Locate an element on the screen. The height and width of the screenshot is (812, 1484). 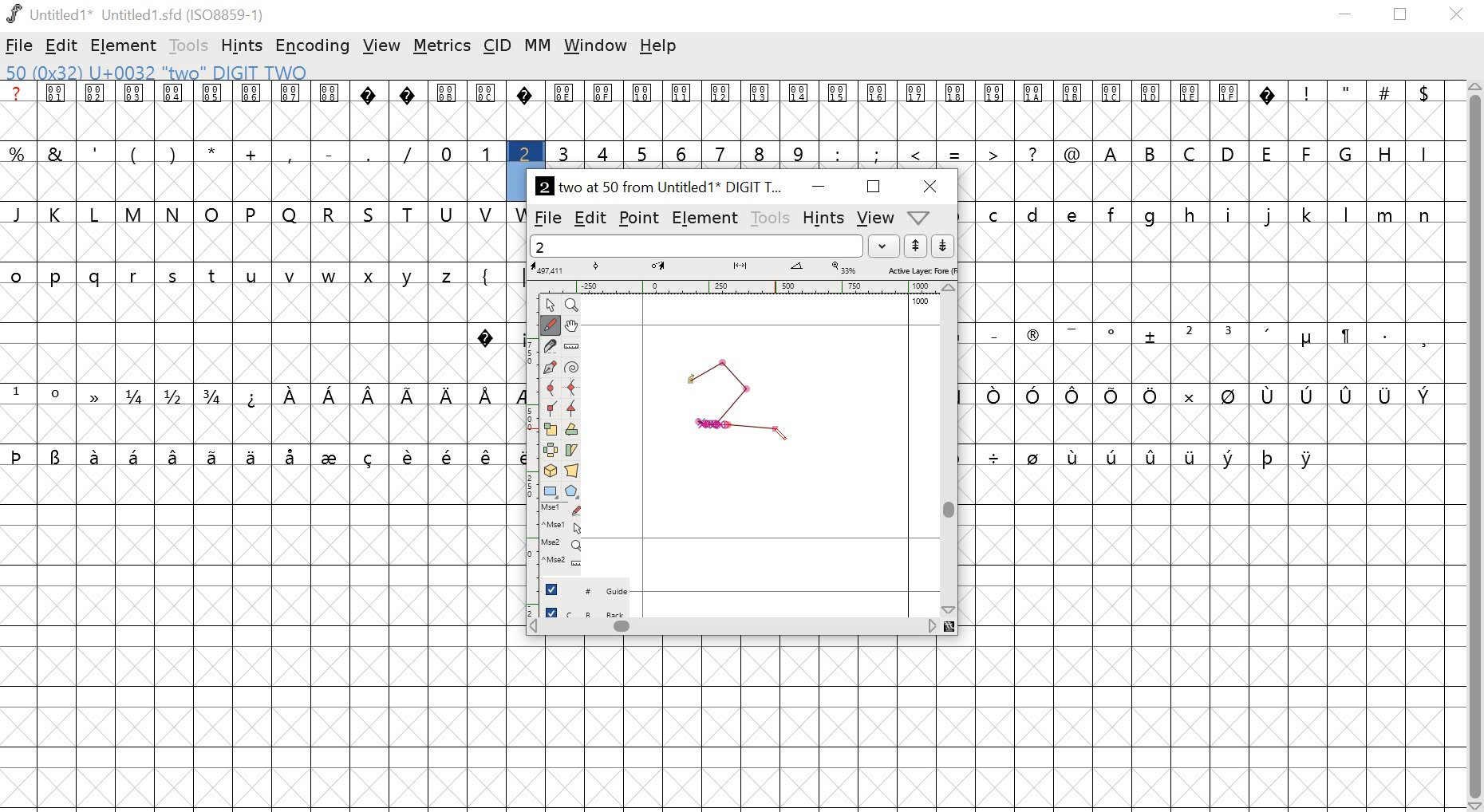
metrics is located at coordinates (443, 46).